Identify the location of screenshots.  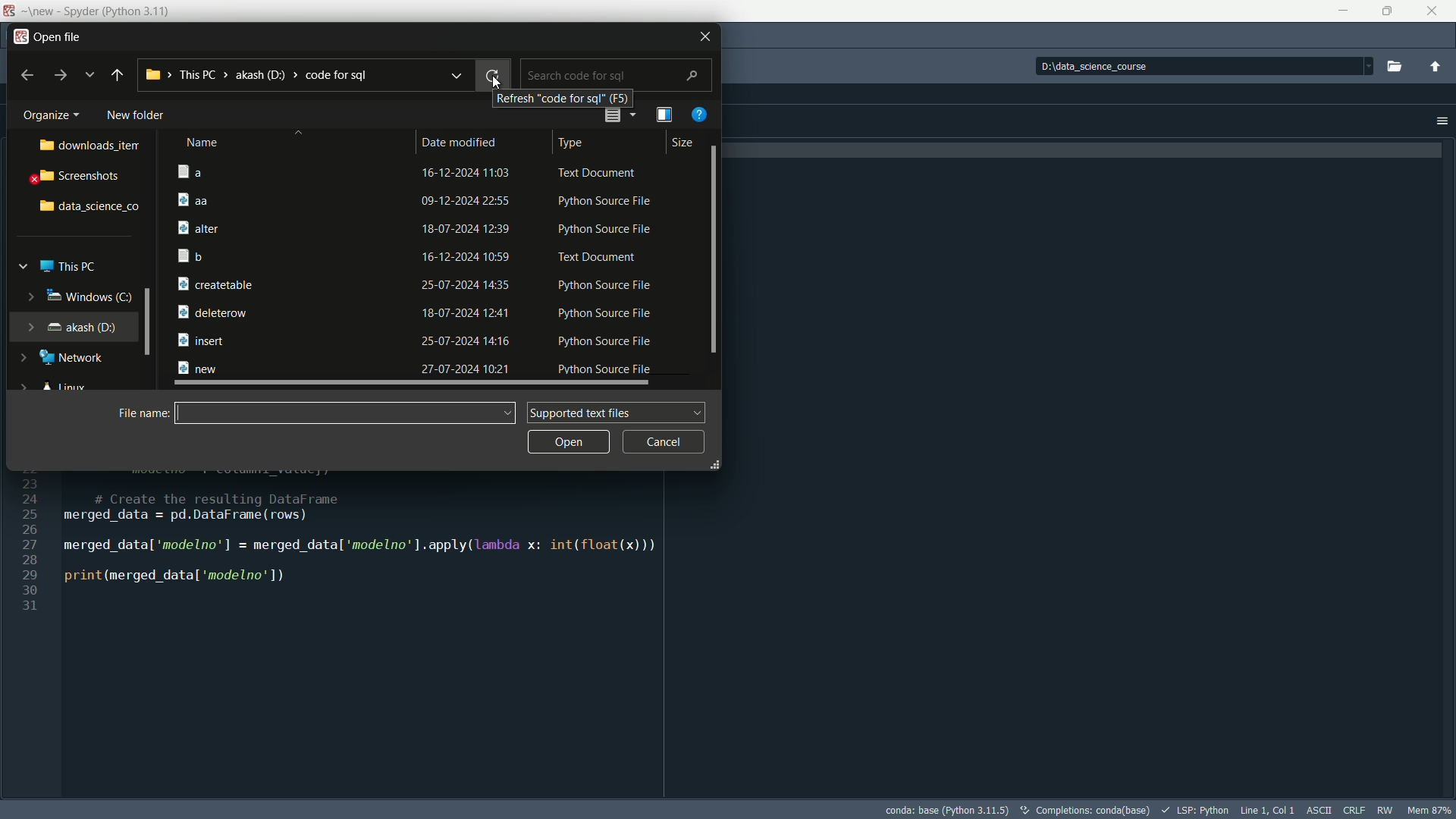
(77, 178).